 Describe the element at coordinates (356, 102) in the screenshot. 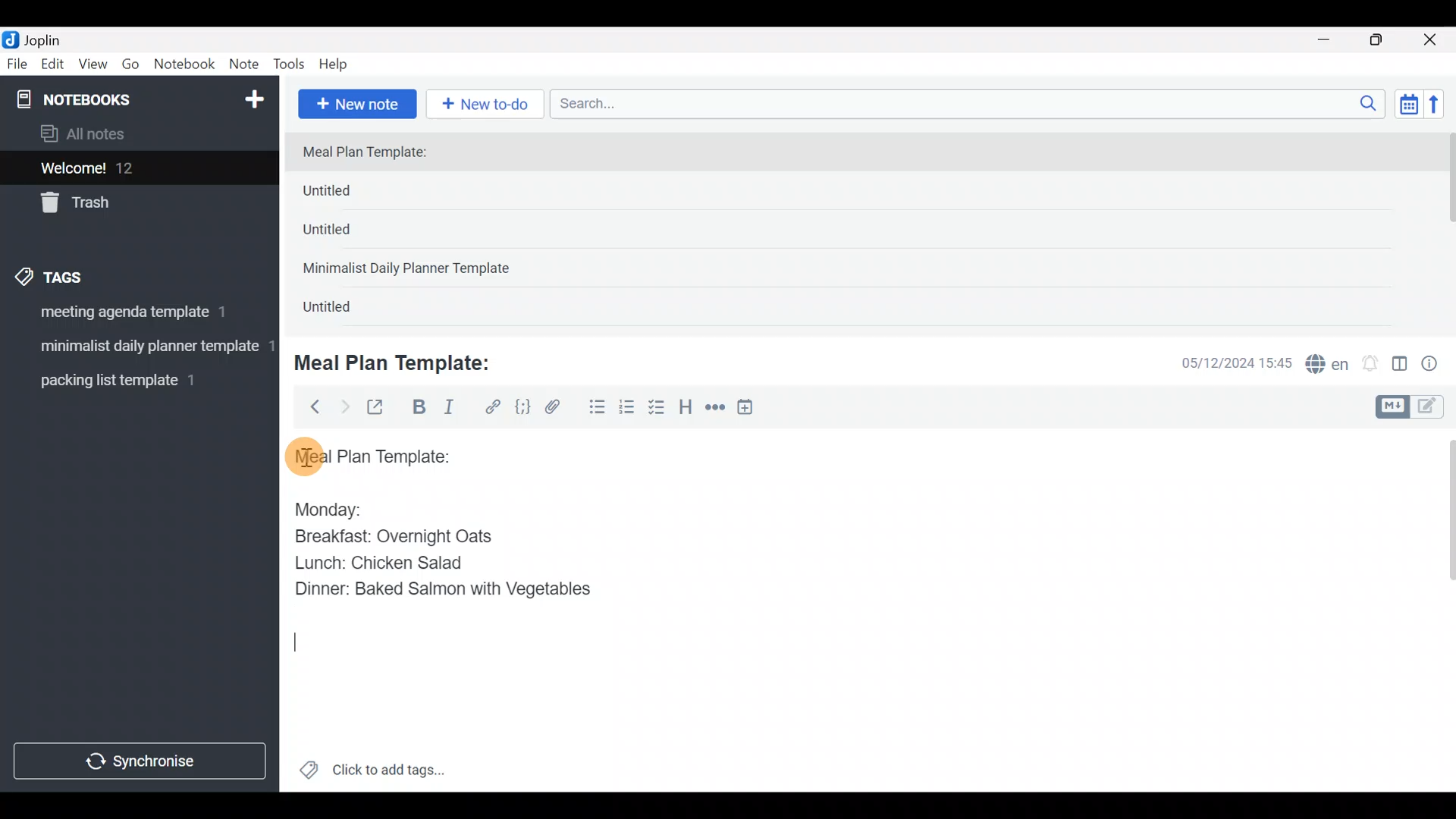

I see `New note` at that location.